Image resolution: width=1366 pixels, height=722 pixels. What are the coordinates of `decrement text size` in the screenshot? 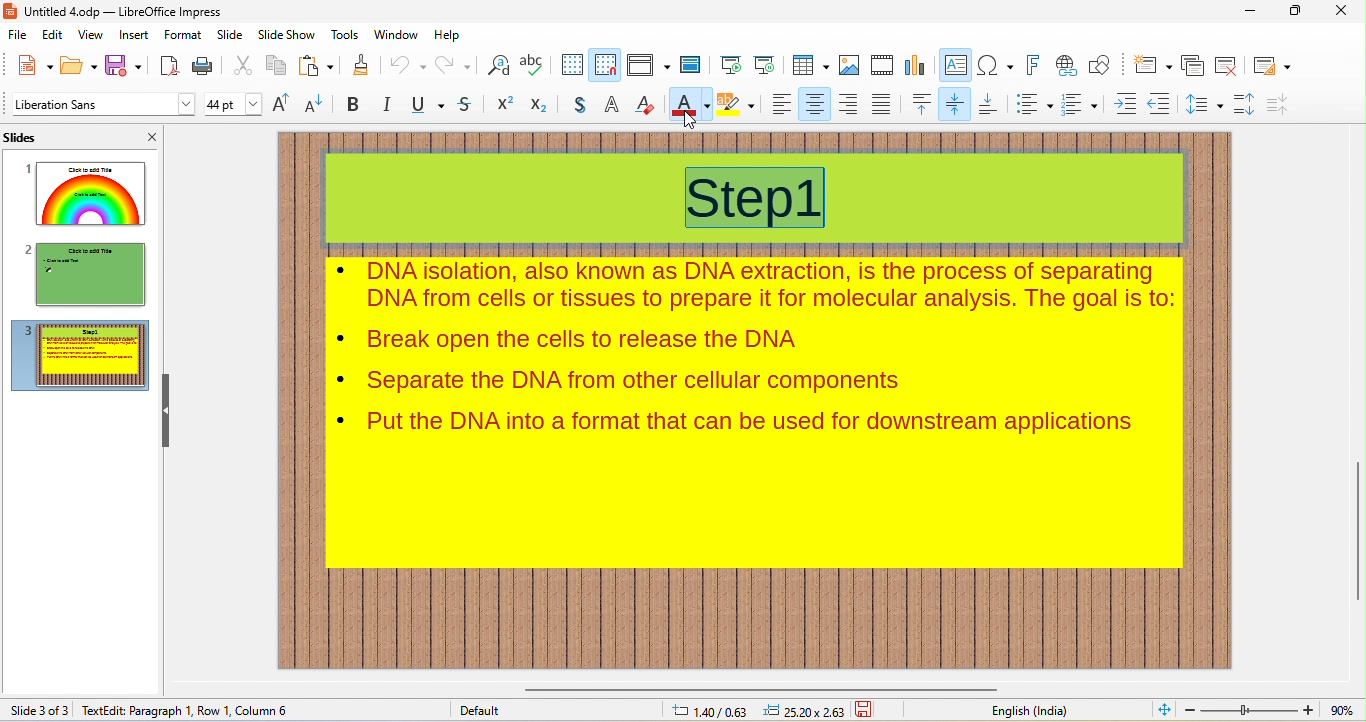 It's located at (314, 105).